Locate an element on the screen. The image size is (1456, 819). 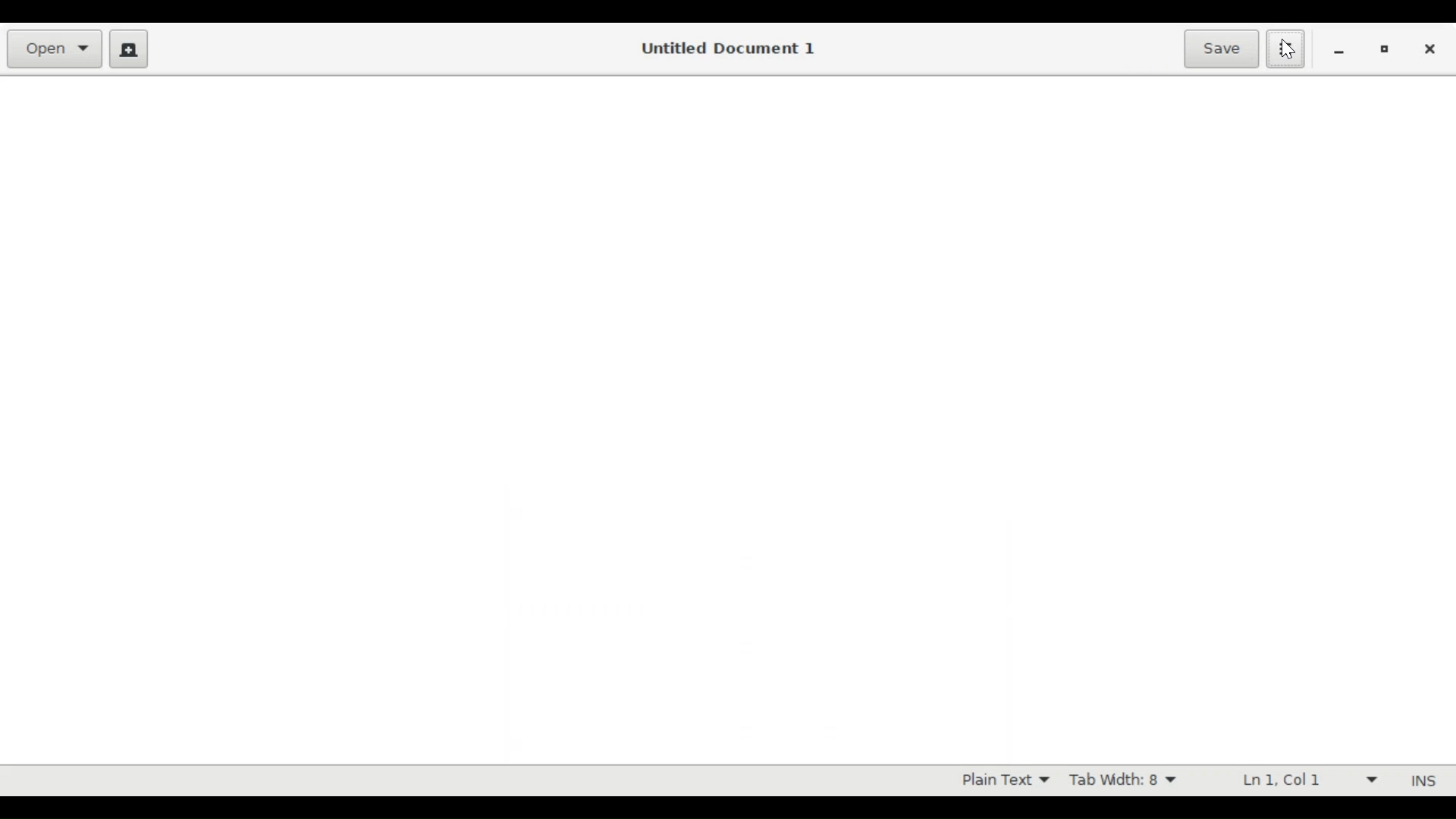
Open is located at coordinates (52, 48).